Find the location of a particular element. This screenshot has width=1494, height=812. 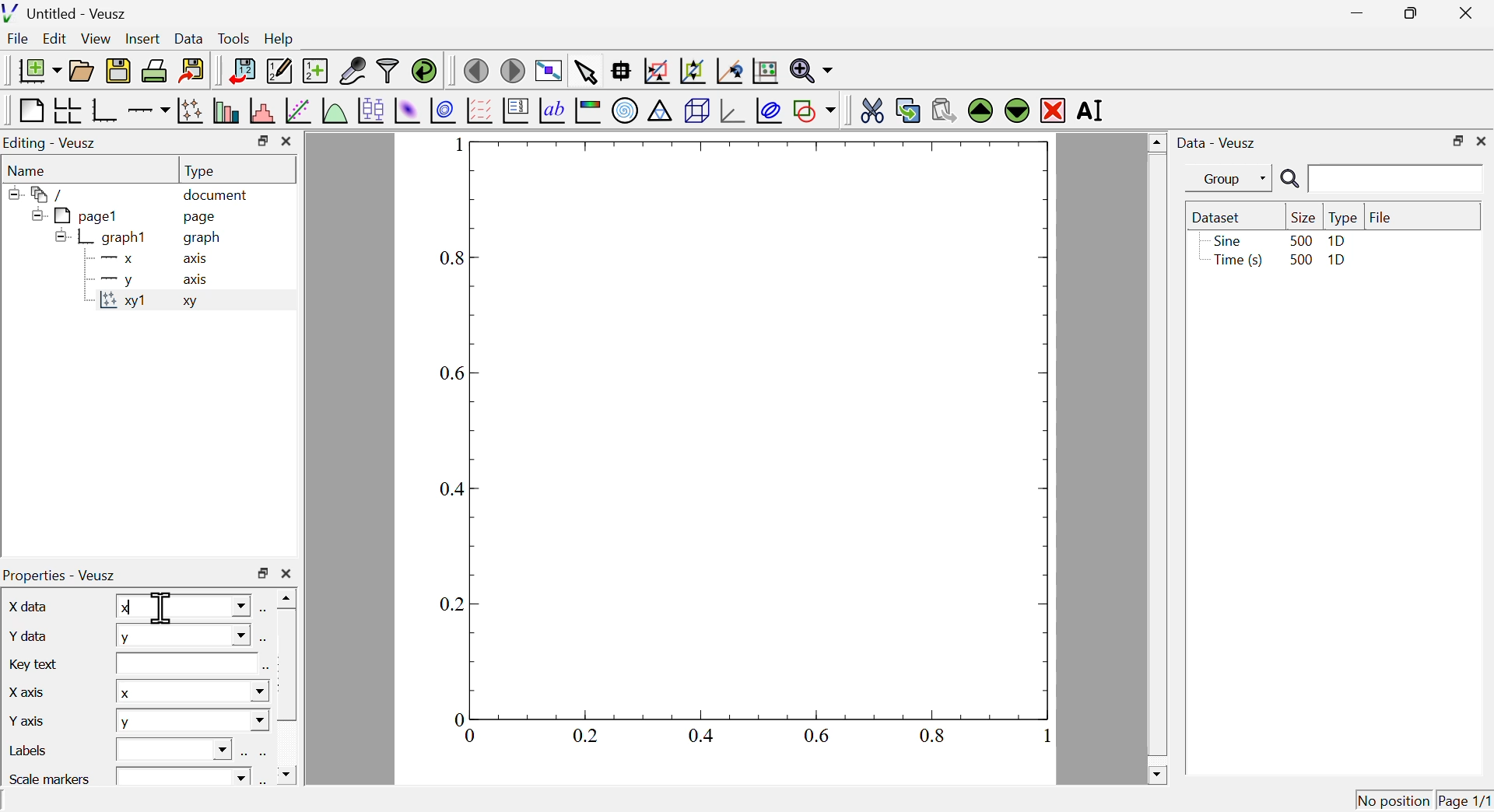

xy is located at coordinates (195, 305).